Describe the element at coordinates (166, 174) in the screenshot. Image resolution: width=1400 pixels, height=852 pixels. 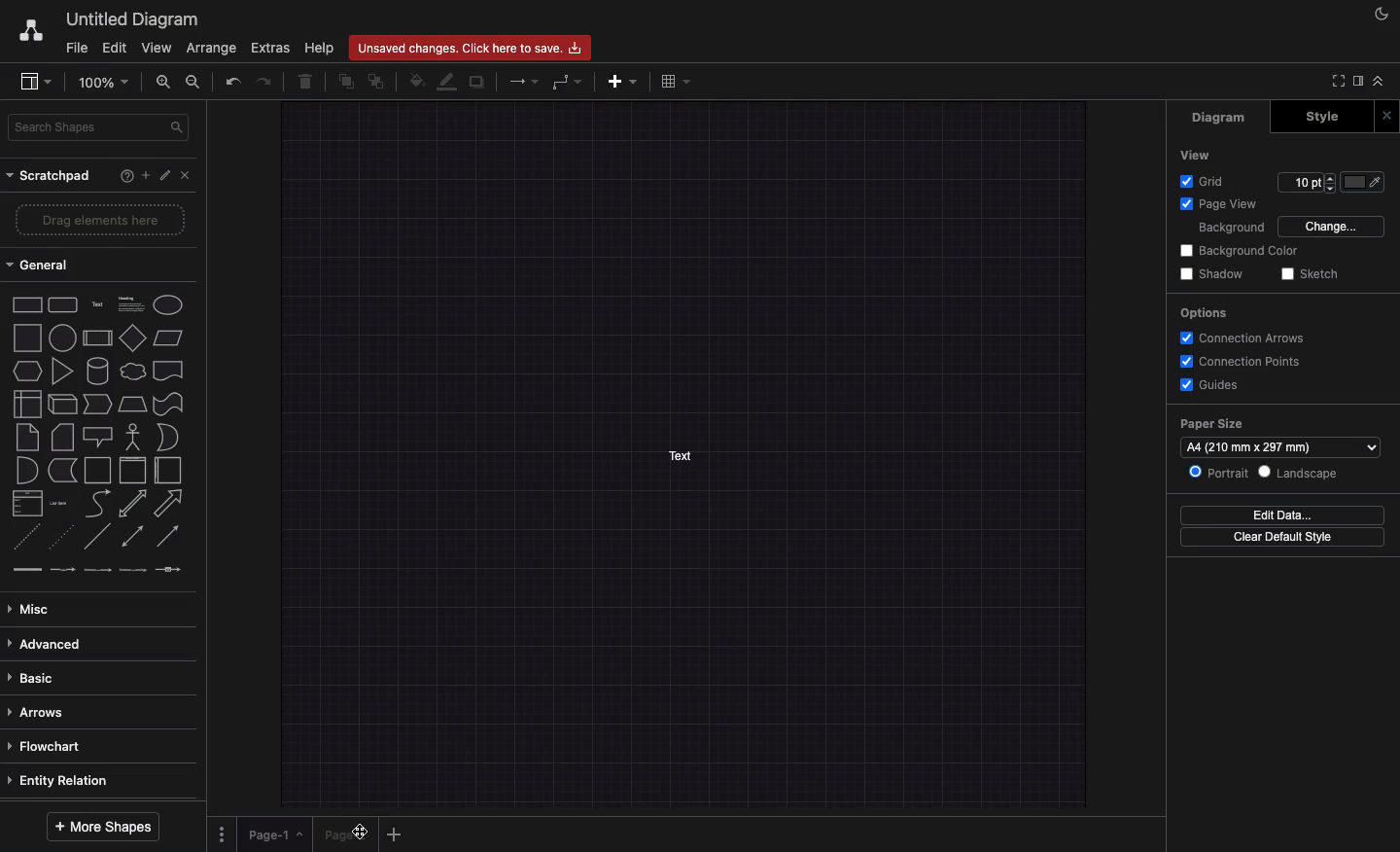
I see `Edit` at that location.